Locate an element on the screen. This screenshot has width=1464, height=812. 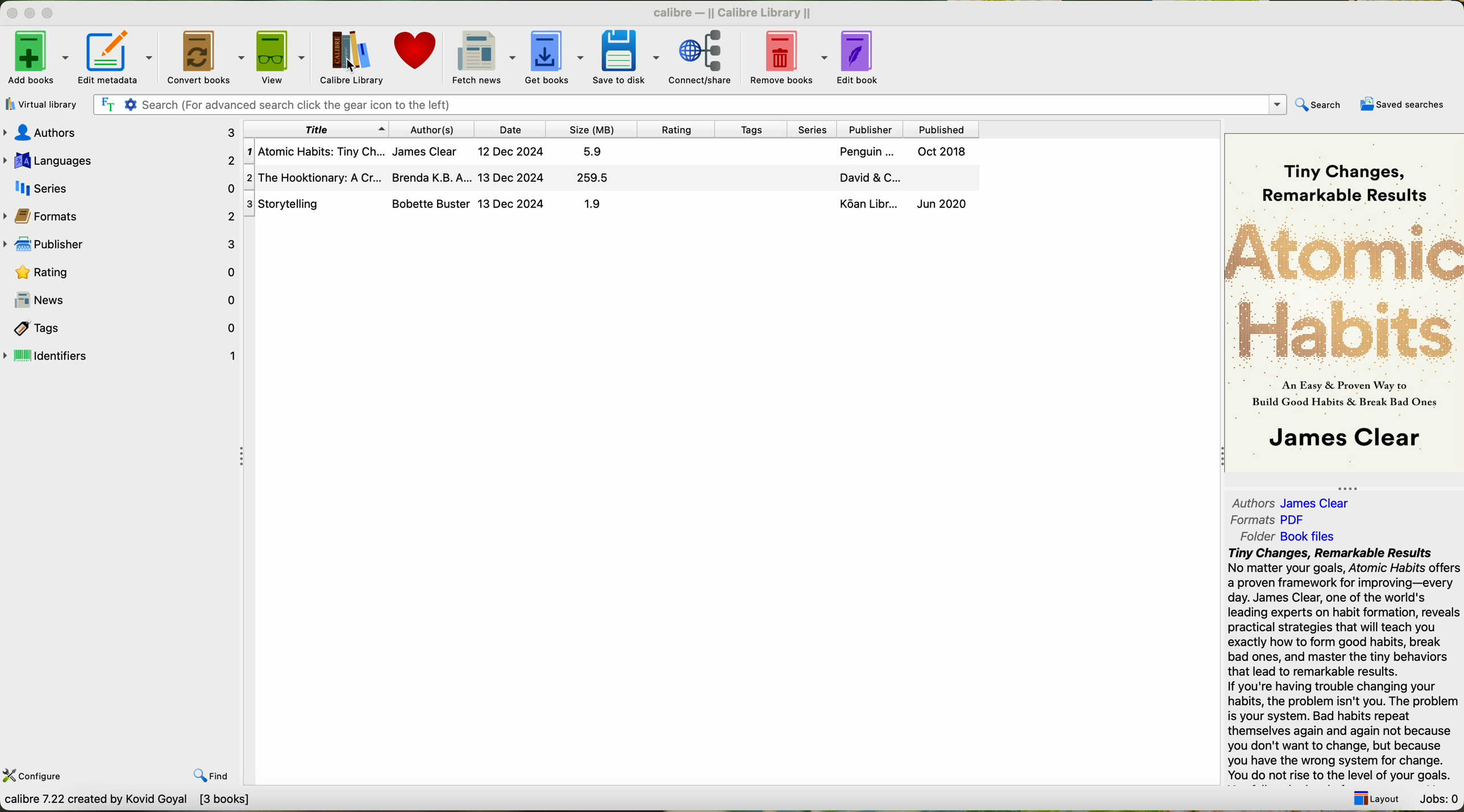
James Clear is located at coordinates (1320, 503).